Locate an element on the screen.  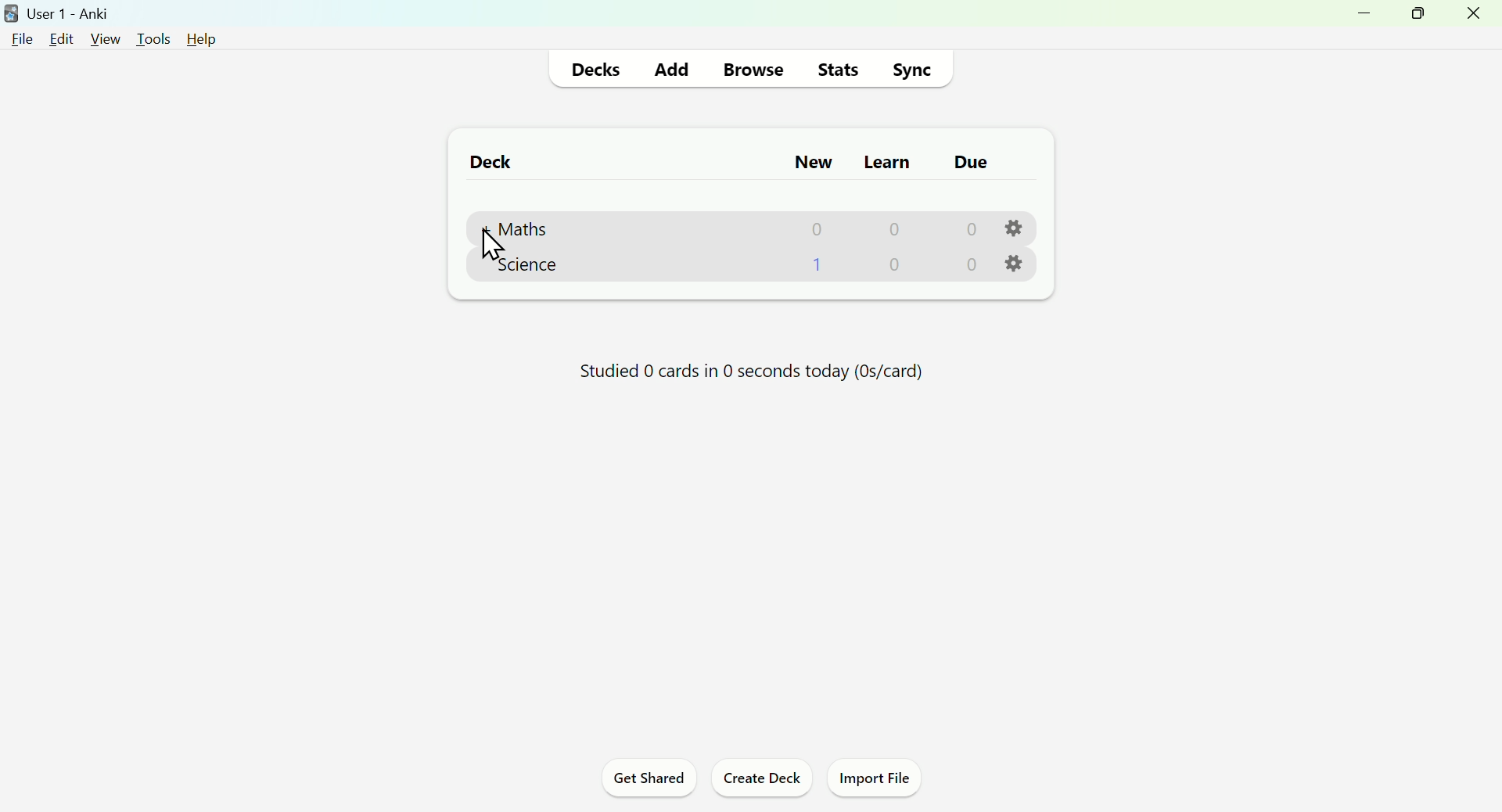
Learn is located at coordinates (886, 158).